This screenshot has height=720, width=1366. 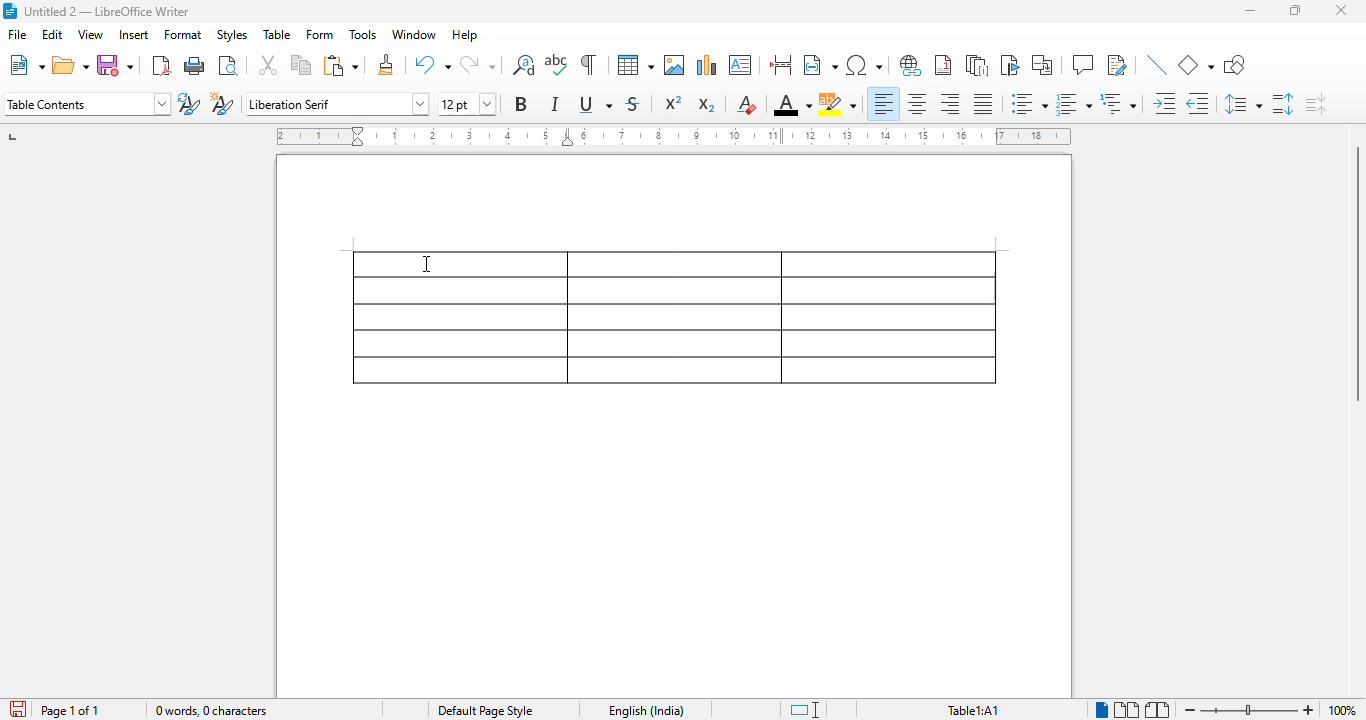 I want to click on align left, so click(x=884, y=104).